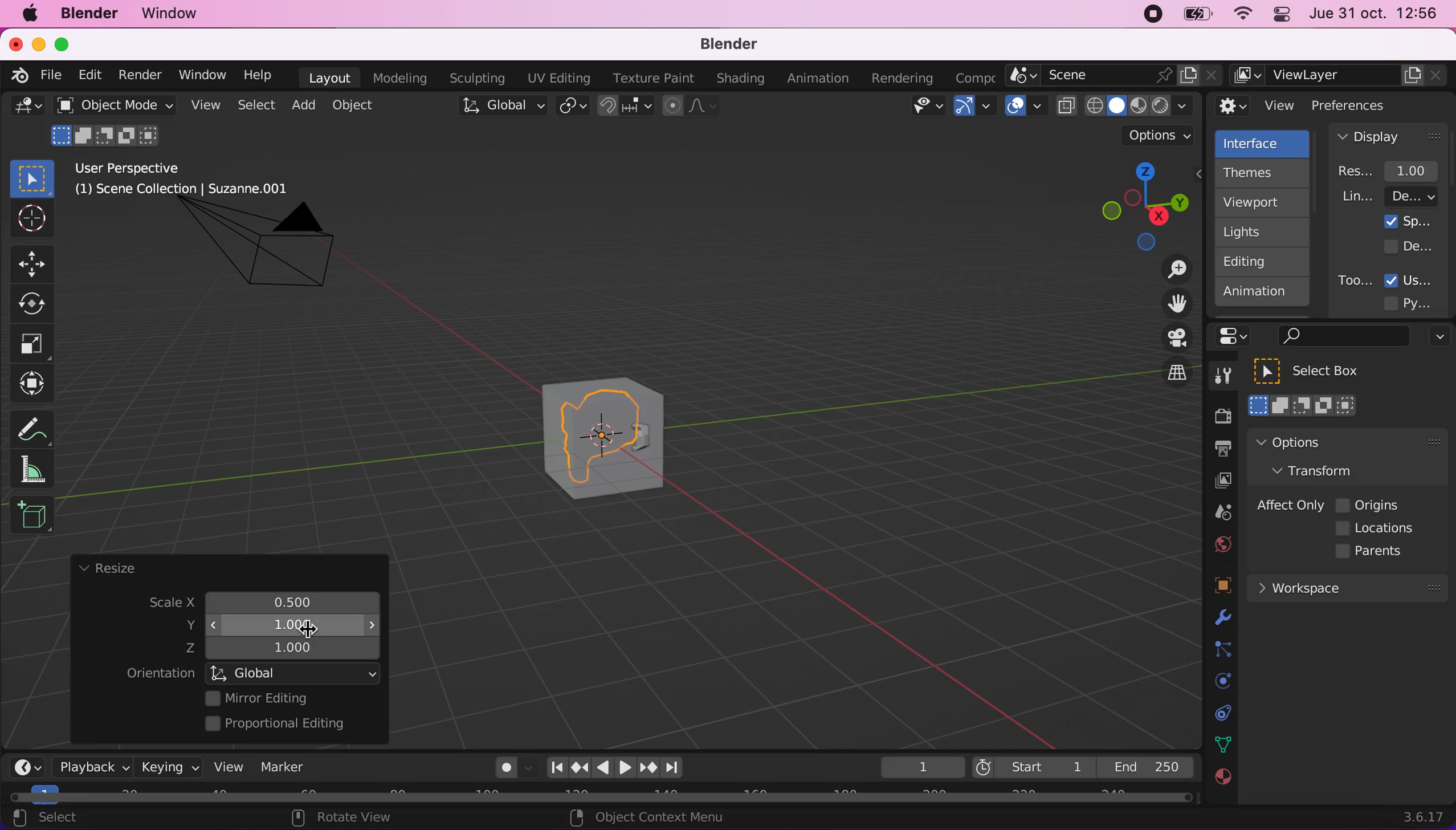  Describe the element at coordinates (201, 75) in the screenshot. I see `window` at that location.